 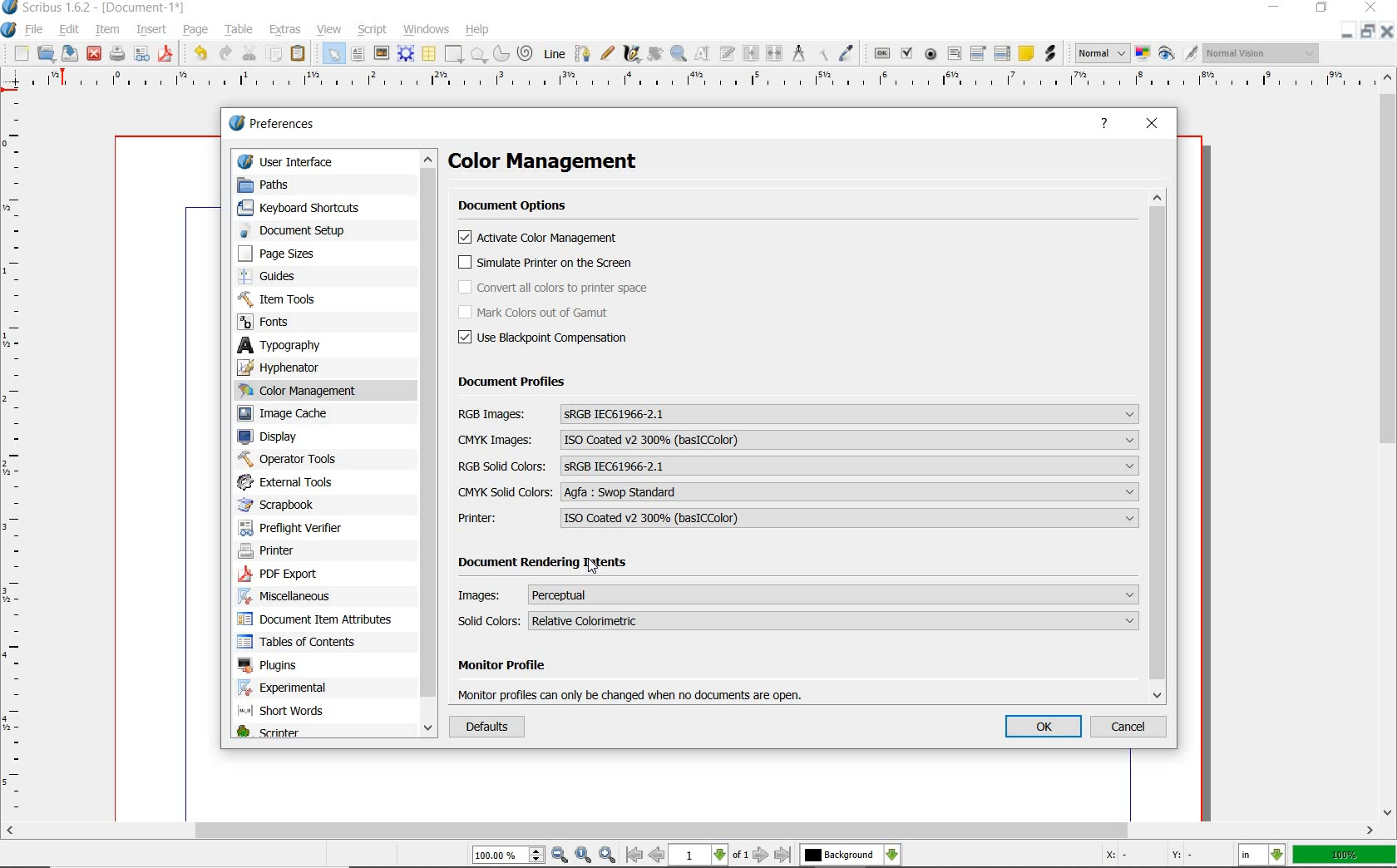 What do you see at coordinates (517, 207) in the screenshot?
I see `document options` at bounding box center [517, 207].